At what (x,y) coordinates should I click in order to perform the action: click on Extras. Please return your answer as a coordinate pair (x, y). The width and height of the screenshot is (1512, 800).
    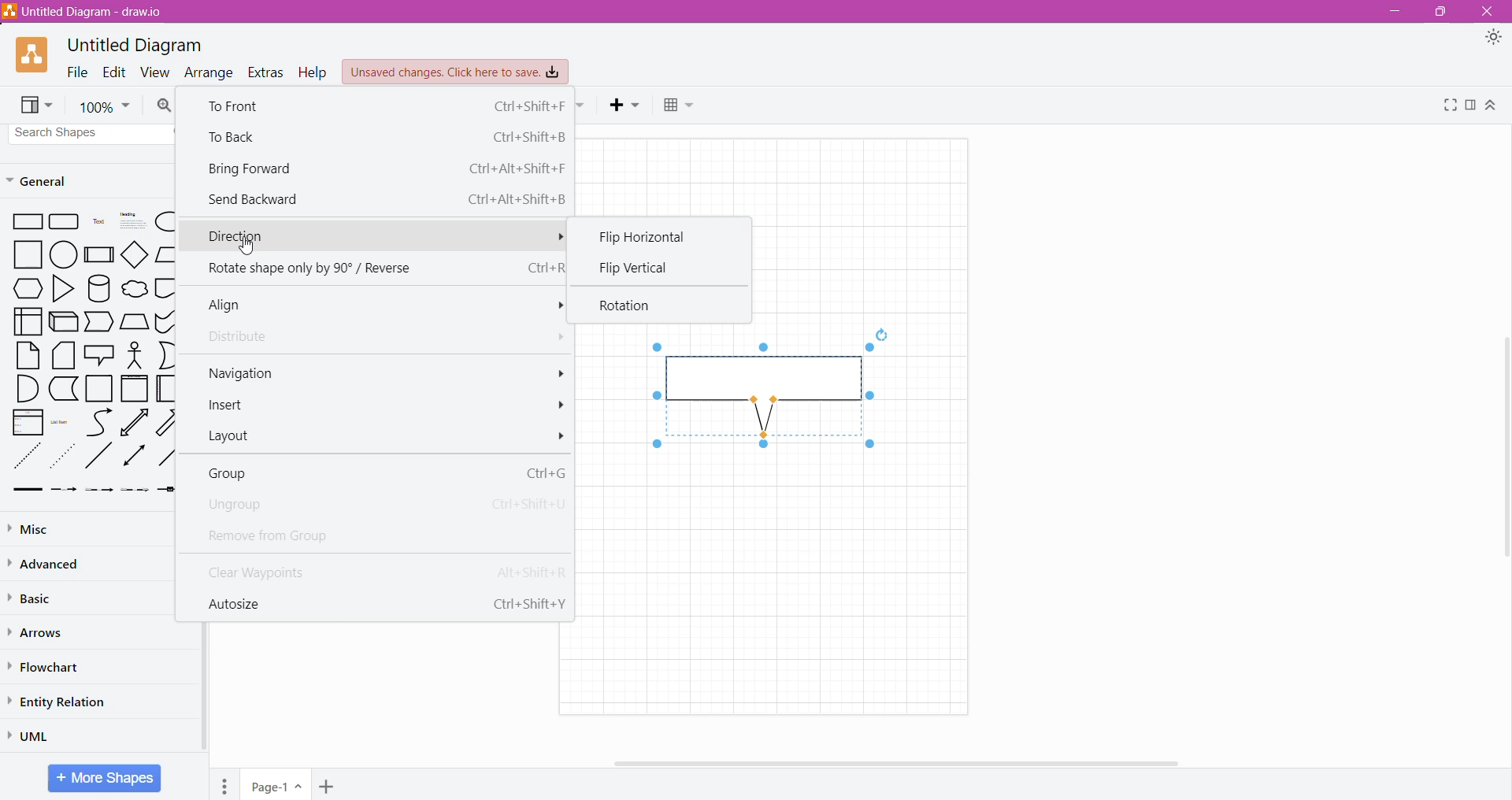
    Looking at the image, I should click on (267, 73).